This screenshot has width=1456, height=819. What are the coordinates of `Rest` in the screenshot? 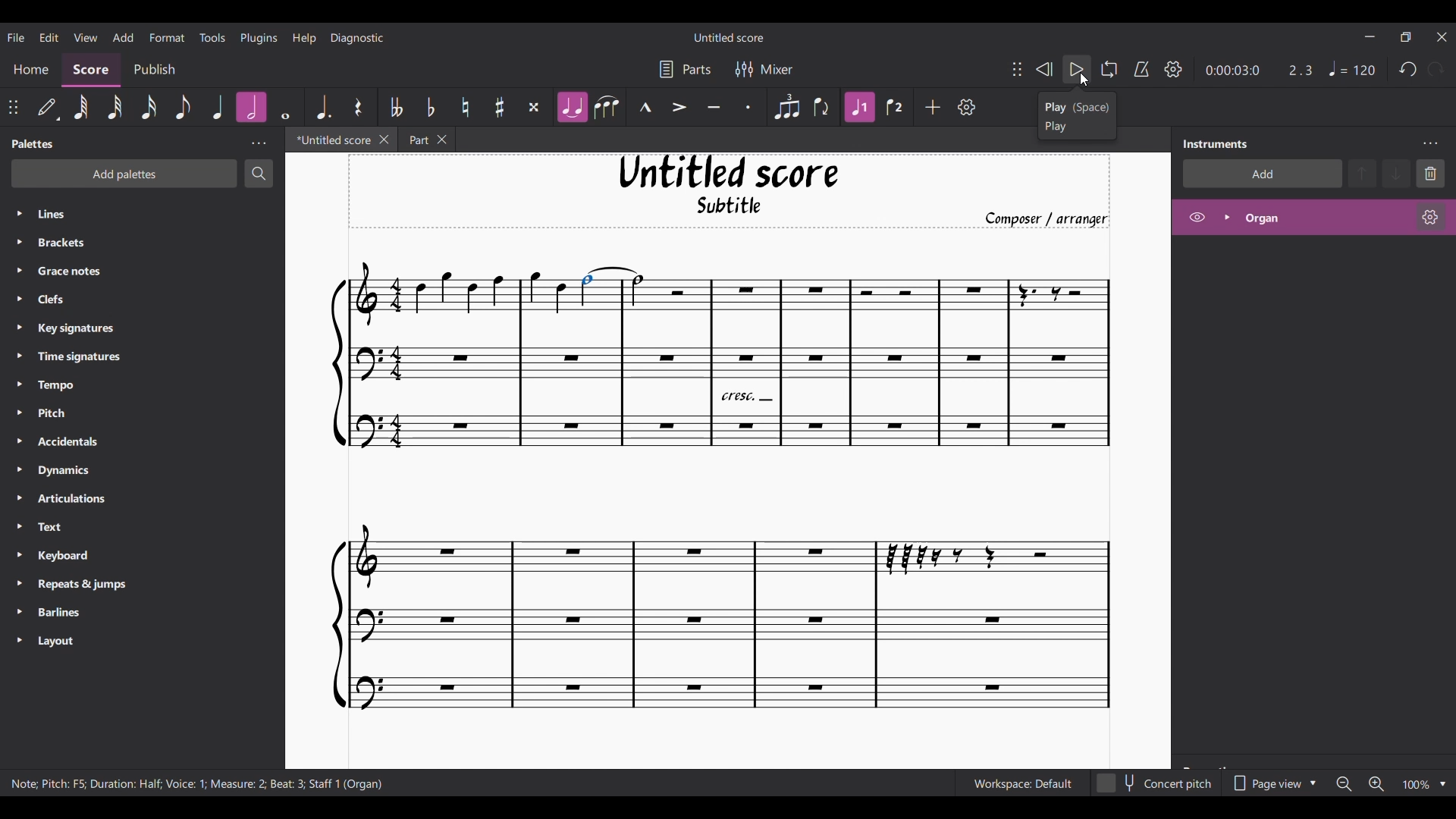 It's located at (359, 106).